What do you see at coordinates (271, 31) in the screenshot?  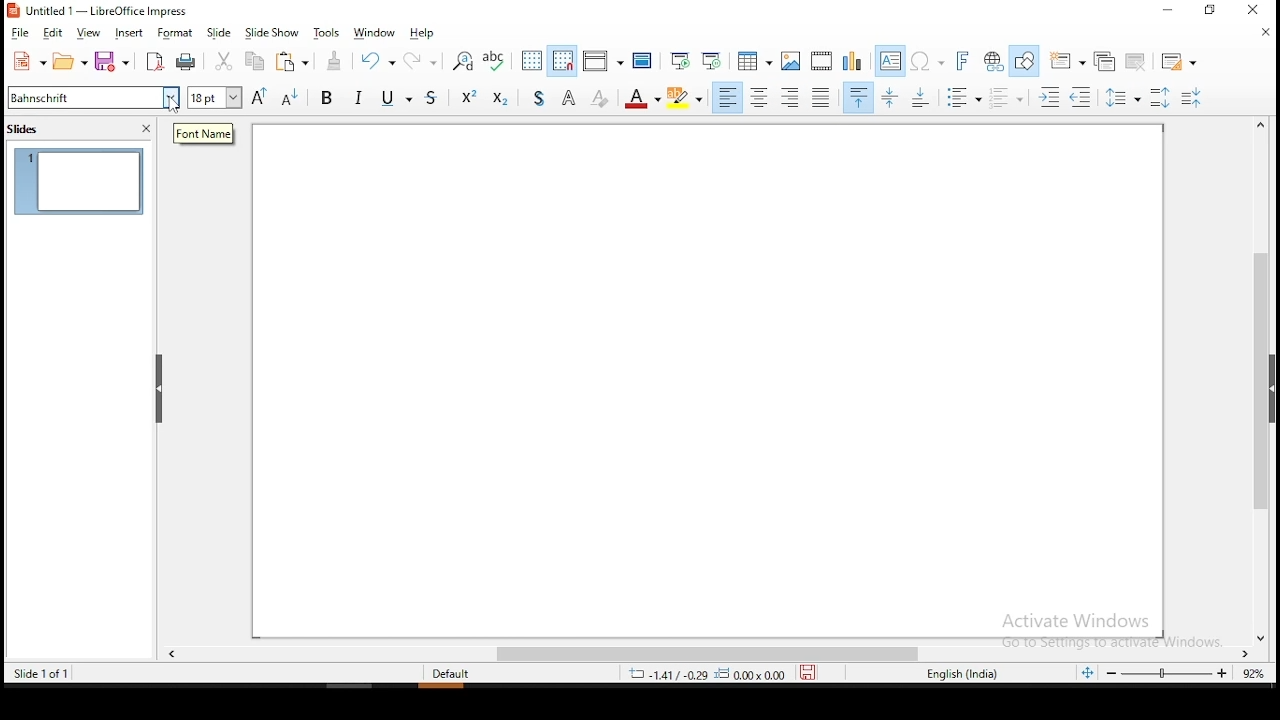 I see `slide show` at bounding box center [271, 31].